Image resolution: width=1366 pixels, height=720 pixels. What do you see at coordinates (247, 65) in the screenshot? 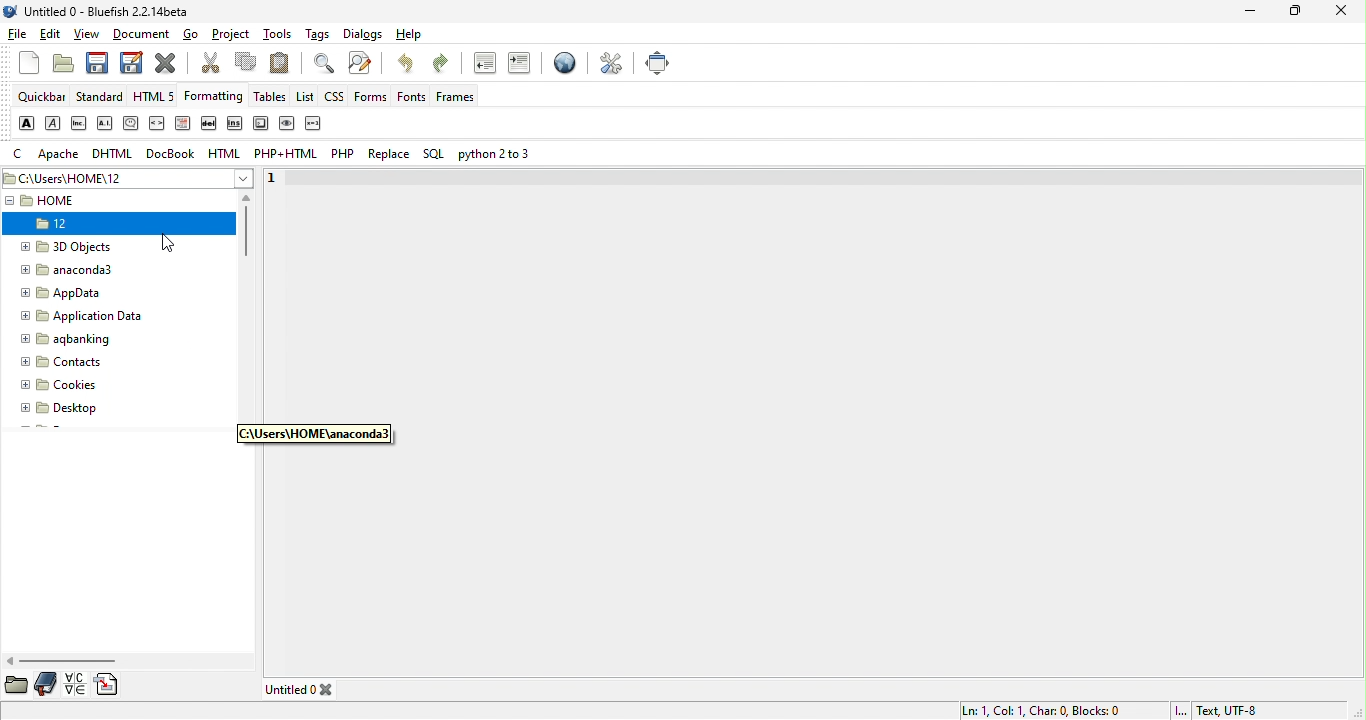
I see `copy` at bounding box center [247, 65].